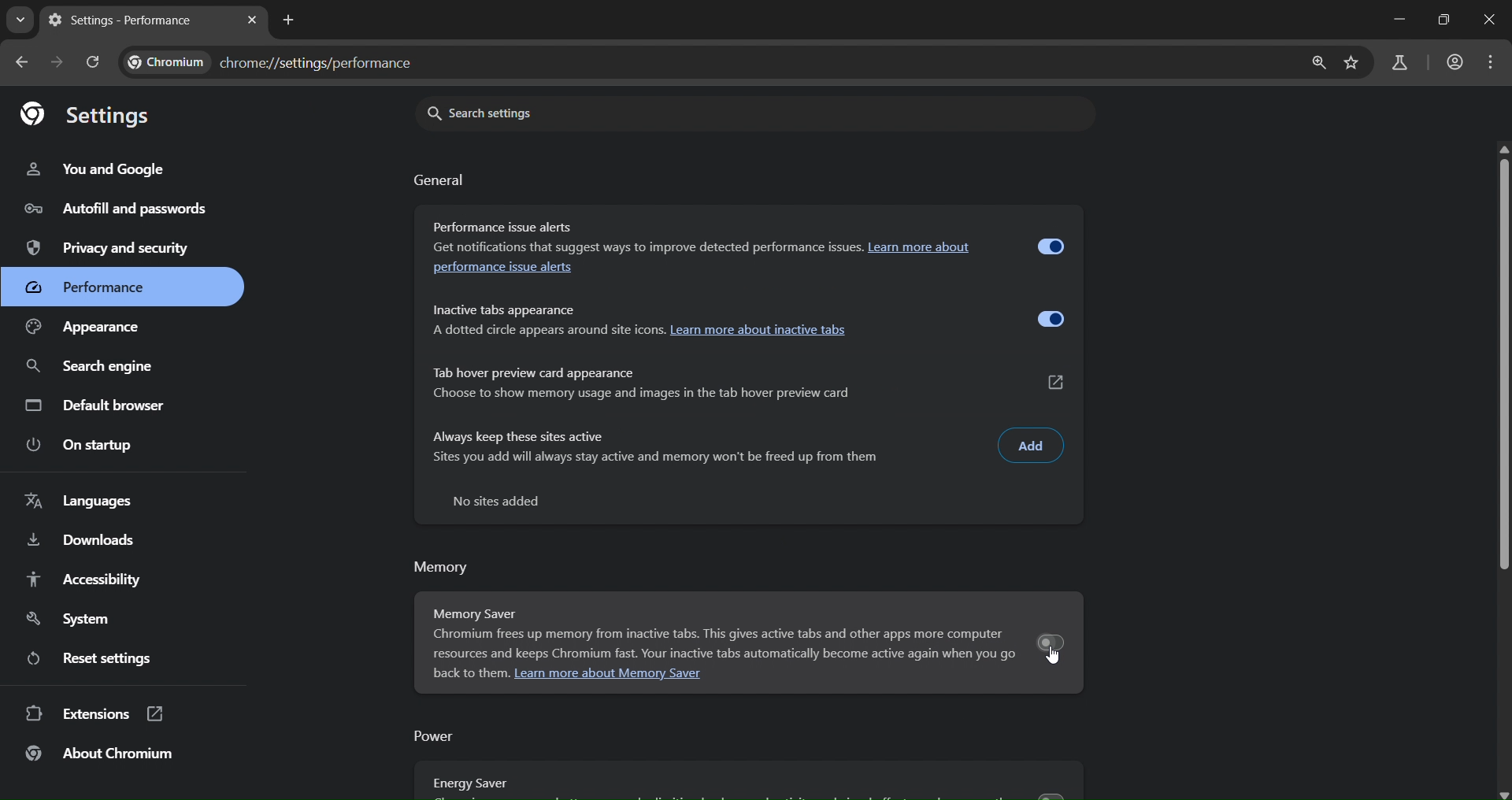 The width and height of the screenshot is (1512, 800). Describe the element at coordinates (436, 735) in the screenshot. I see `power` at that location.